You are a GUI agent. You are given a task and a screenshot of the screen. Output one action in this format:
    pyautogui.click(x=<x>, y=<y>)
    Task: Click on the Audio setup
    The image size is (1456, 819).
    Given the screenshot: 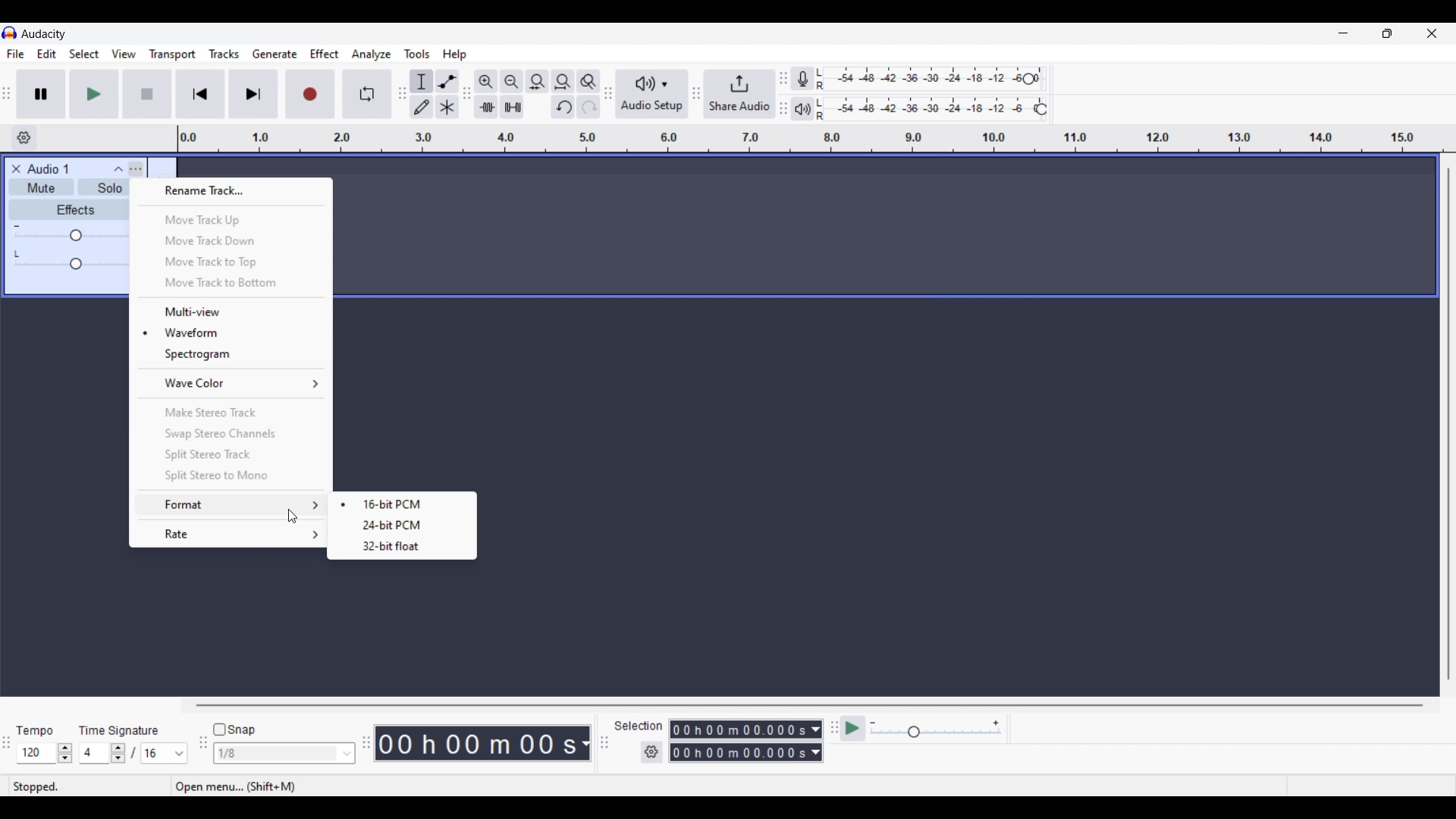 What is the action you would take?
    pyautogui.click(x=652, y=94)
    